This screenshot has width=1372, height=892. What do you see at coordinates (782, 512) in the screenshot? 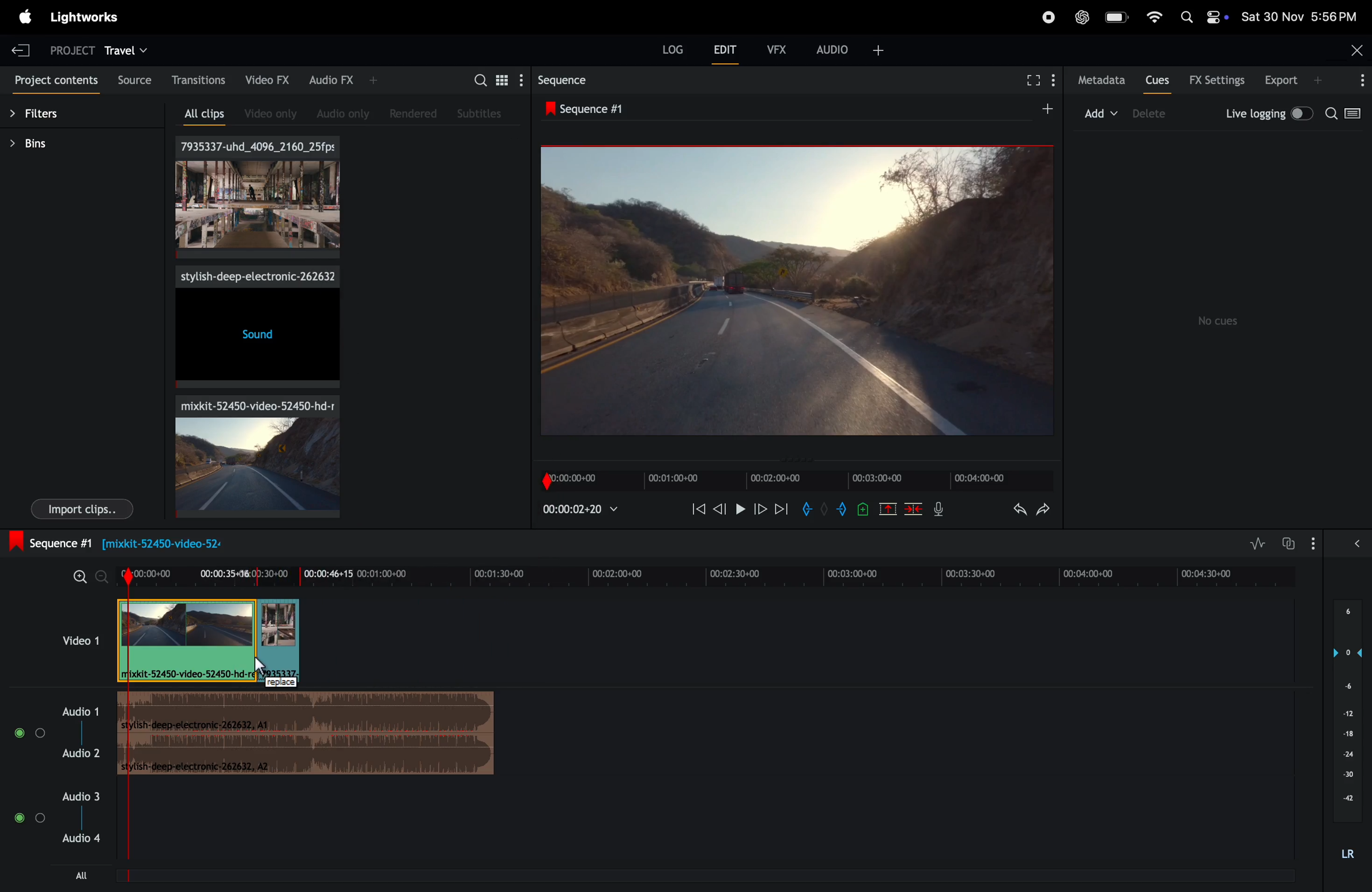
I see `next frame` at bounding box center [782, 512].